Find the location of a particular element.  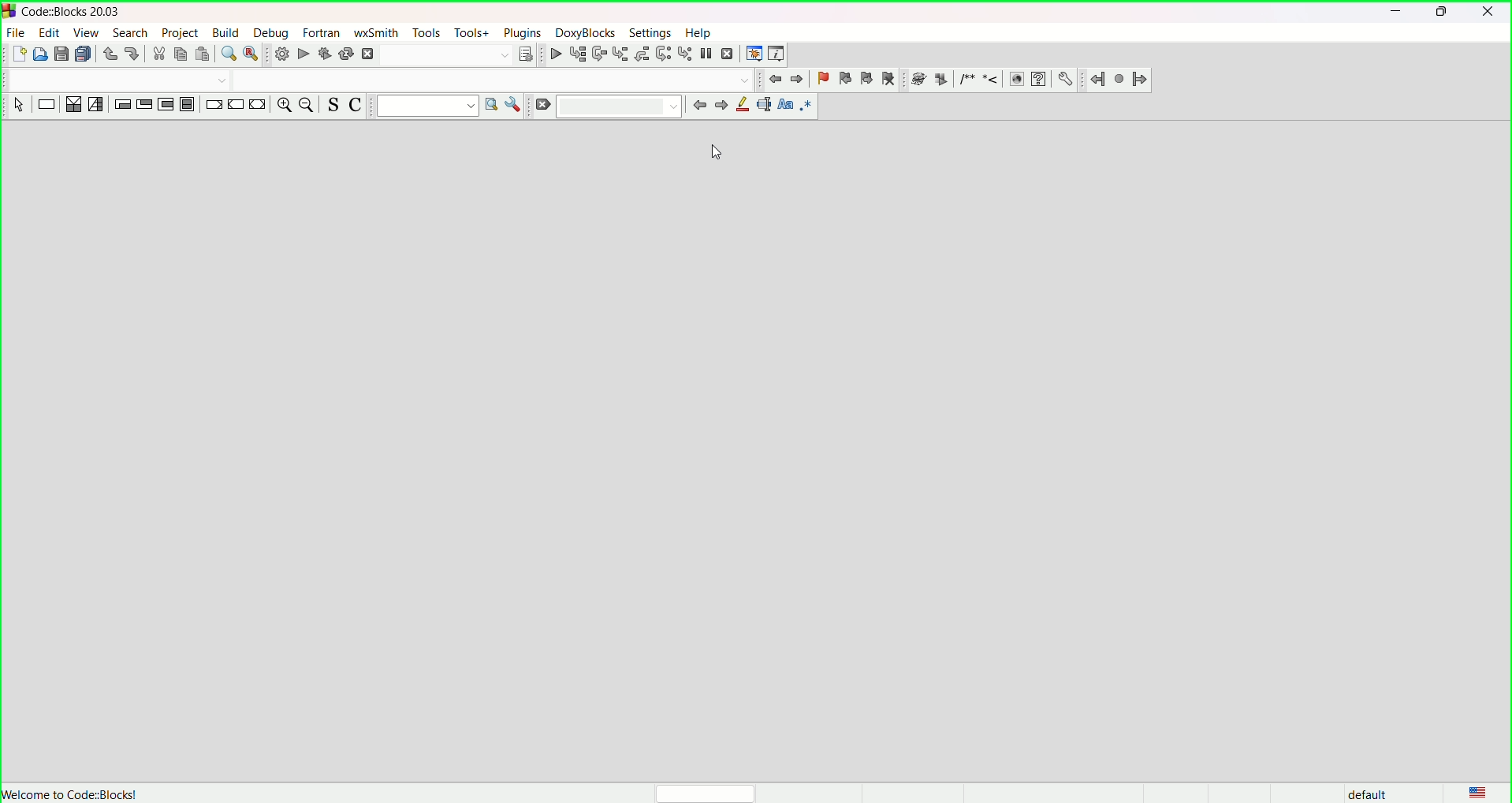

Doxyblocks is located at coordinates (583, 32).